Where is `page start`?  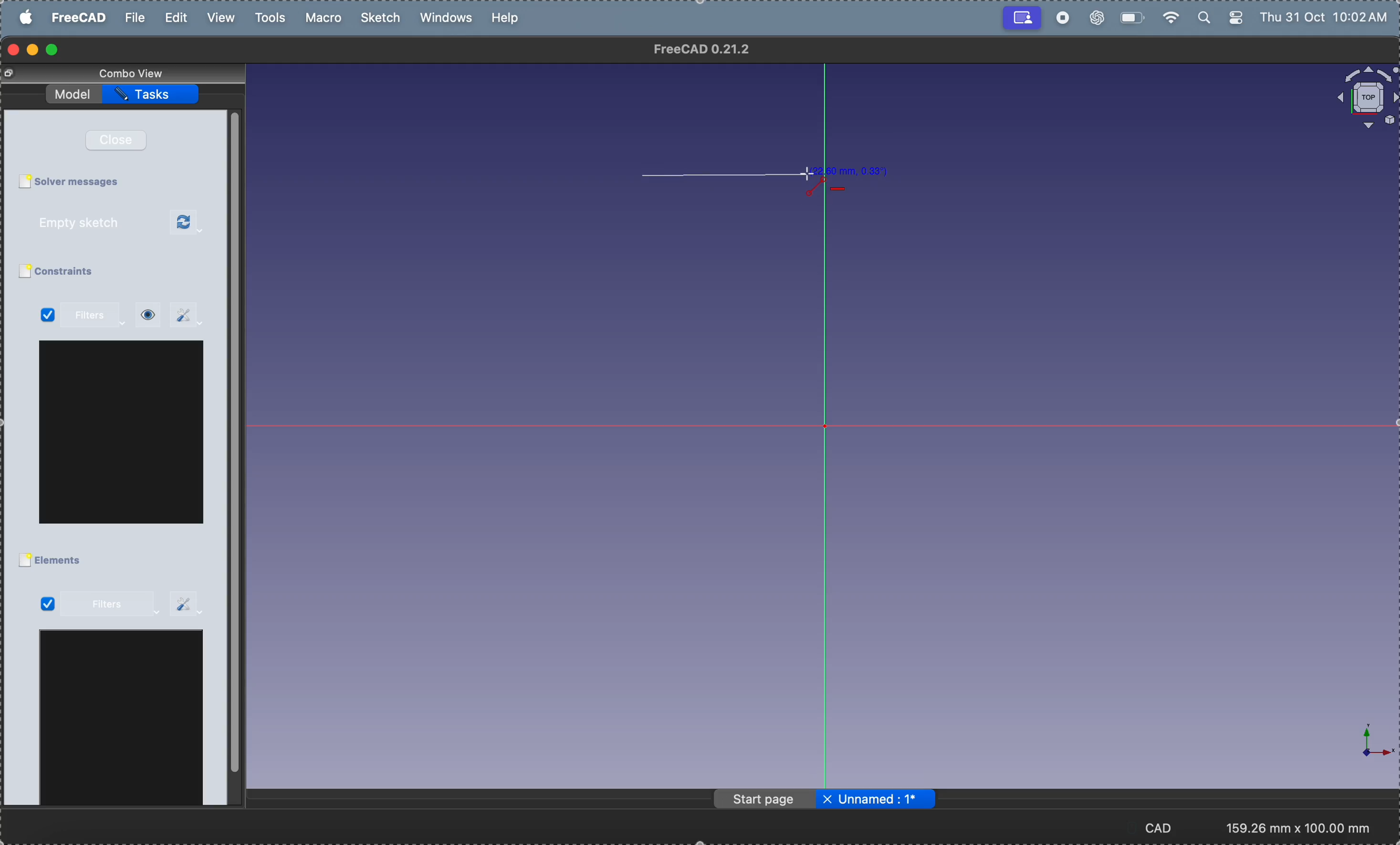
page start is located at coordinates (766, 800).